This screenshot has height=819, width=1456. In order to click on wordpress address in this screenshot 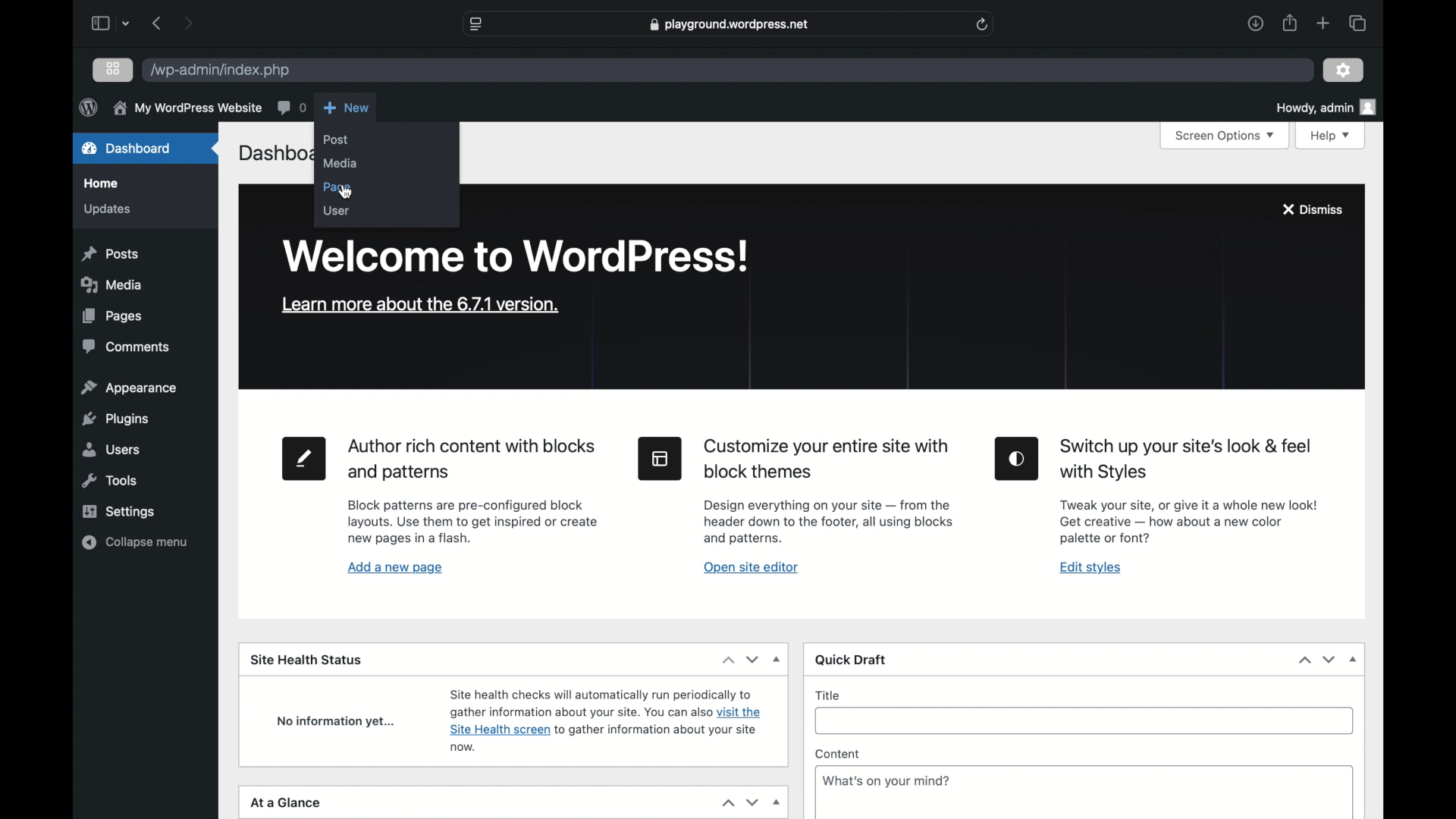, I will do `click(218, 71)`.